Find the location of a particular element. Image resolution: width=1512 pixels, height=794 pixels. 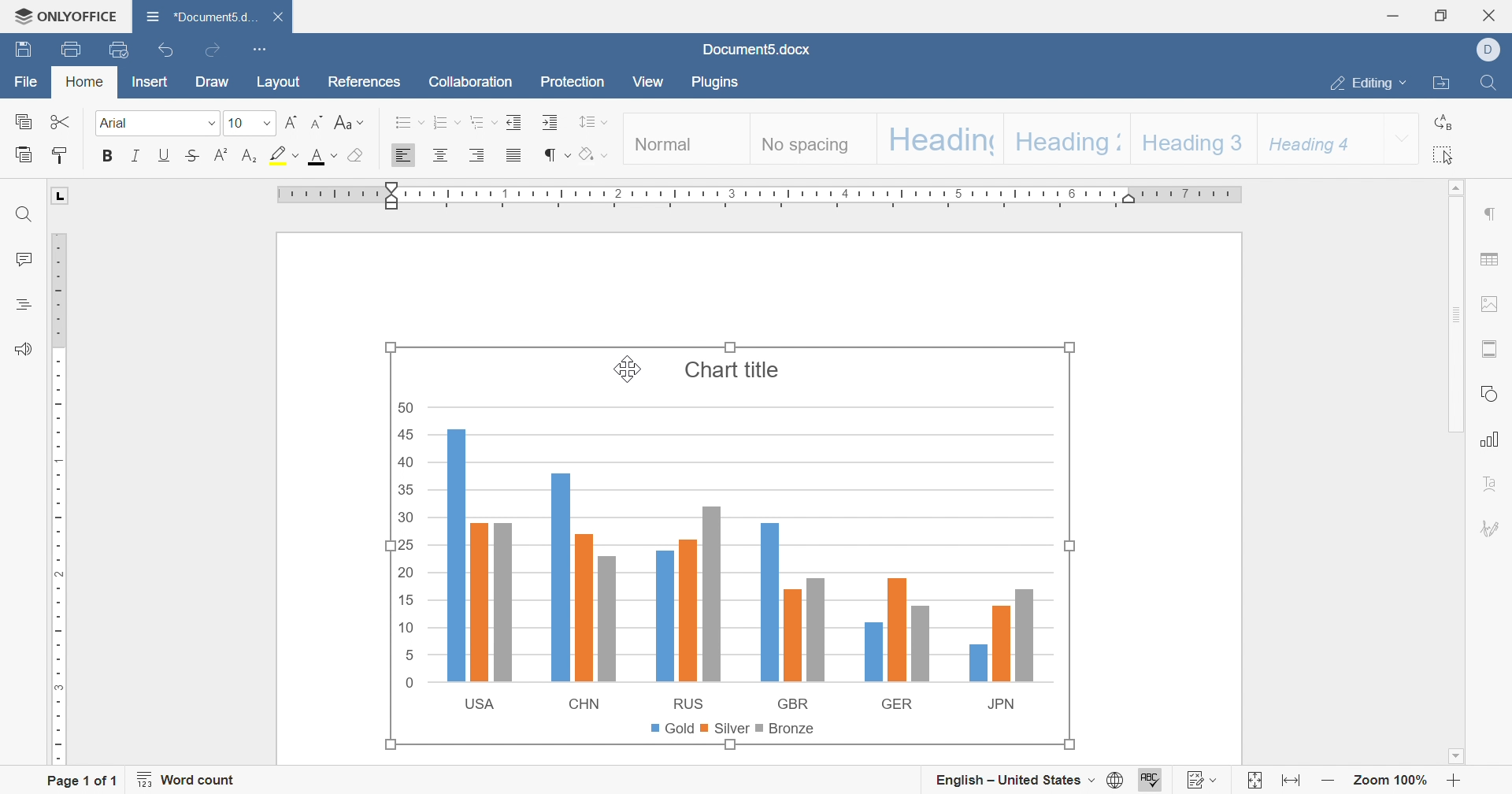

Change case is located at coordinates (349, 122).